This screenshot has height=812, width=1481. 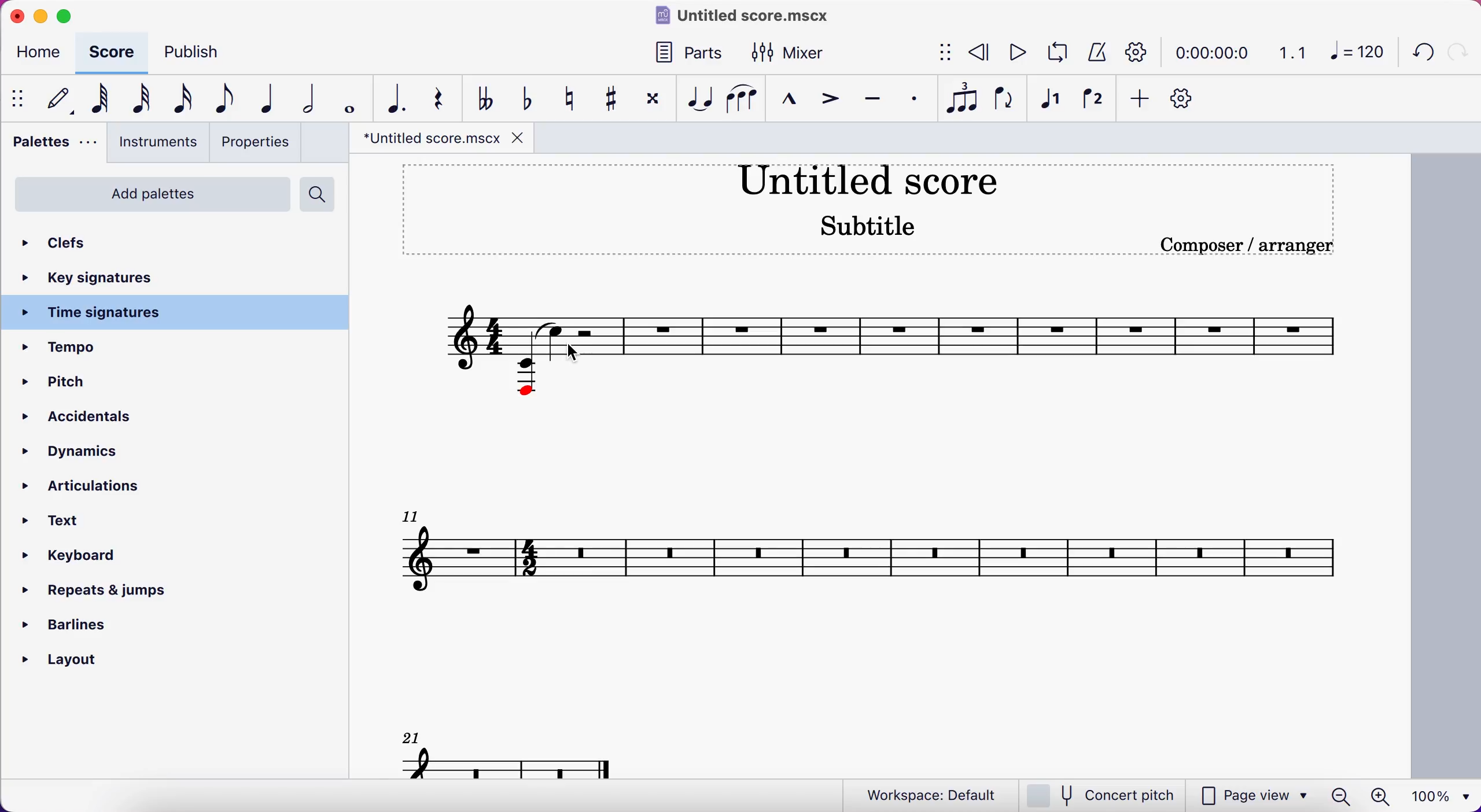 What do you see at coordinates (84, 628) in the screenshot?
I see `barlines` at bounding box center [84, 628].